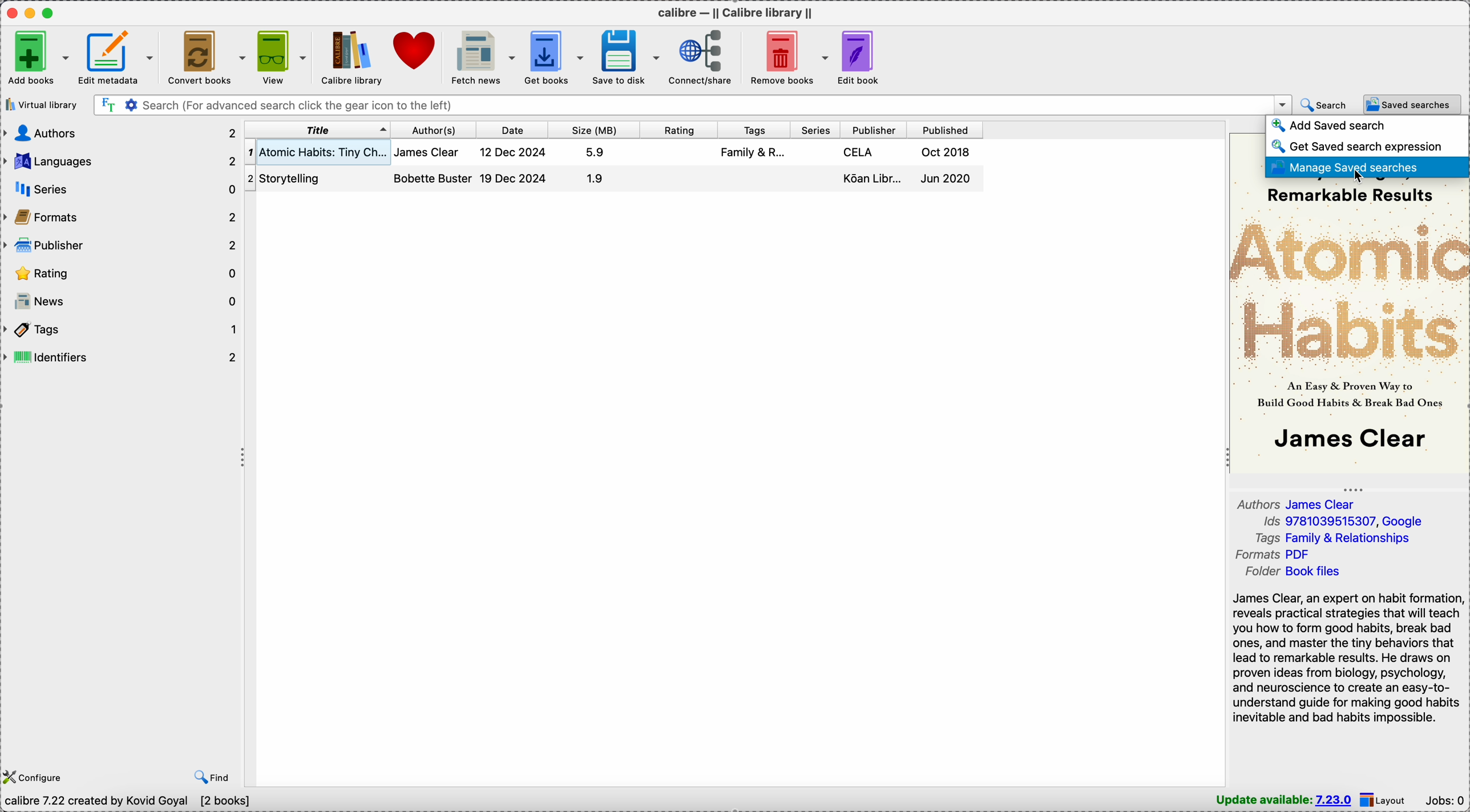  What do you see at coordinates (871, 169) in the screenshot?
I see `publisher` at bounding box center [871, 169].